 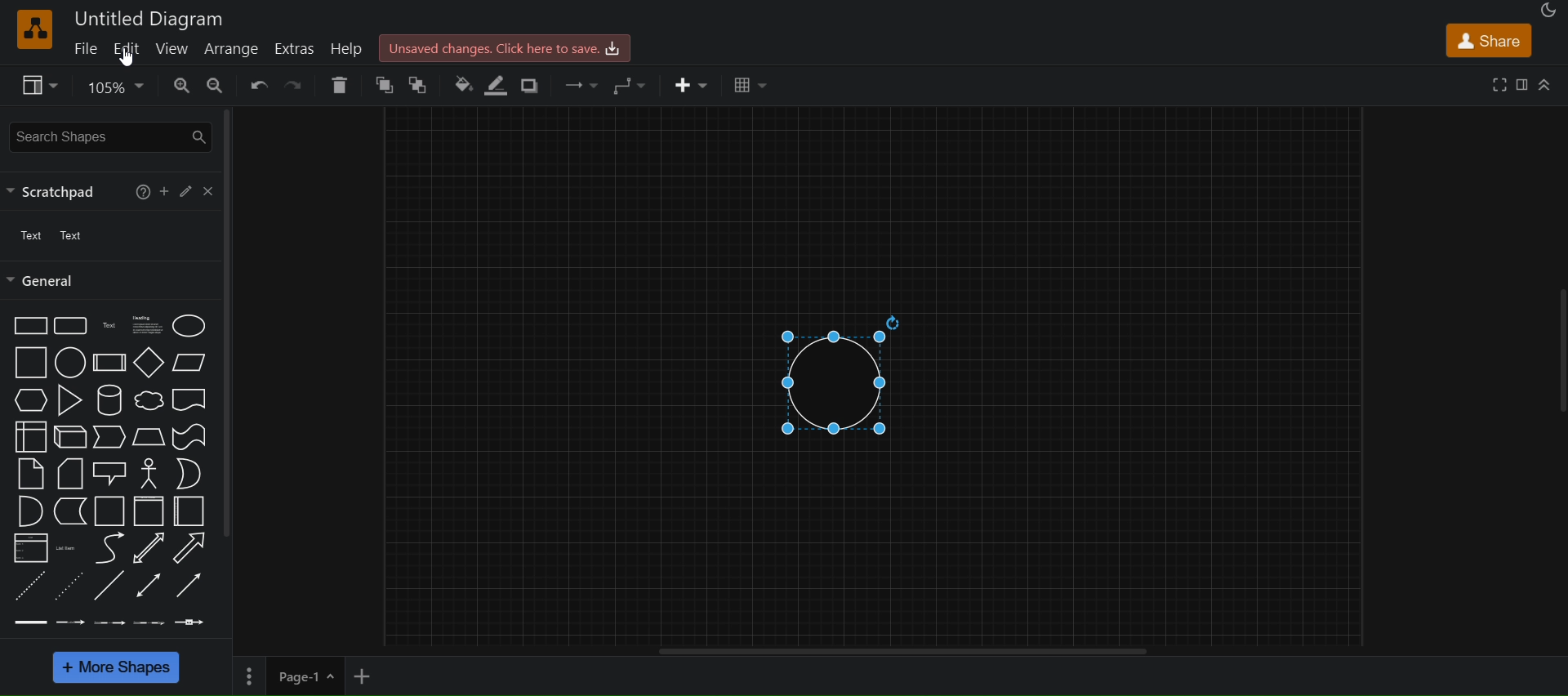 I want to click on waypoints, so click(x=632, y=86).